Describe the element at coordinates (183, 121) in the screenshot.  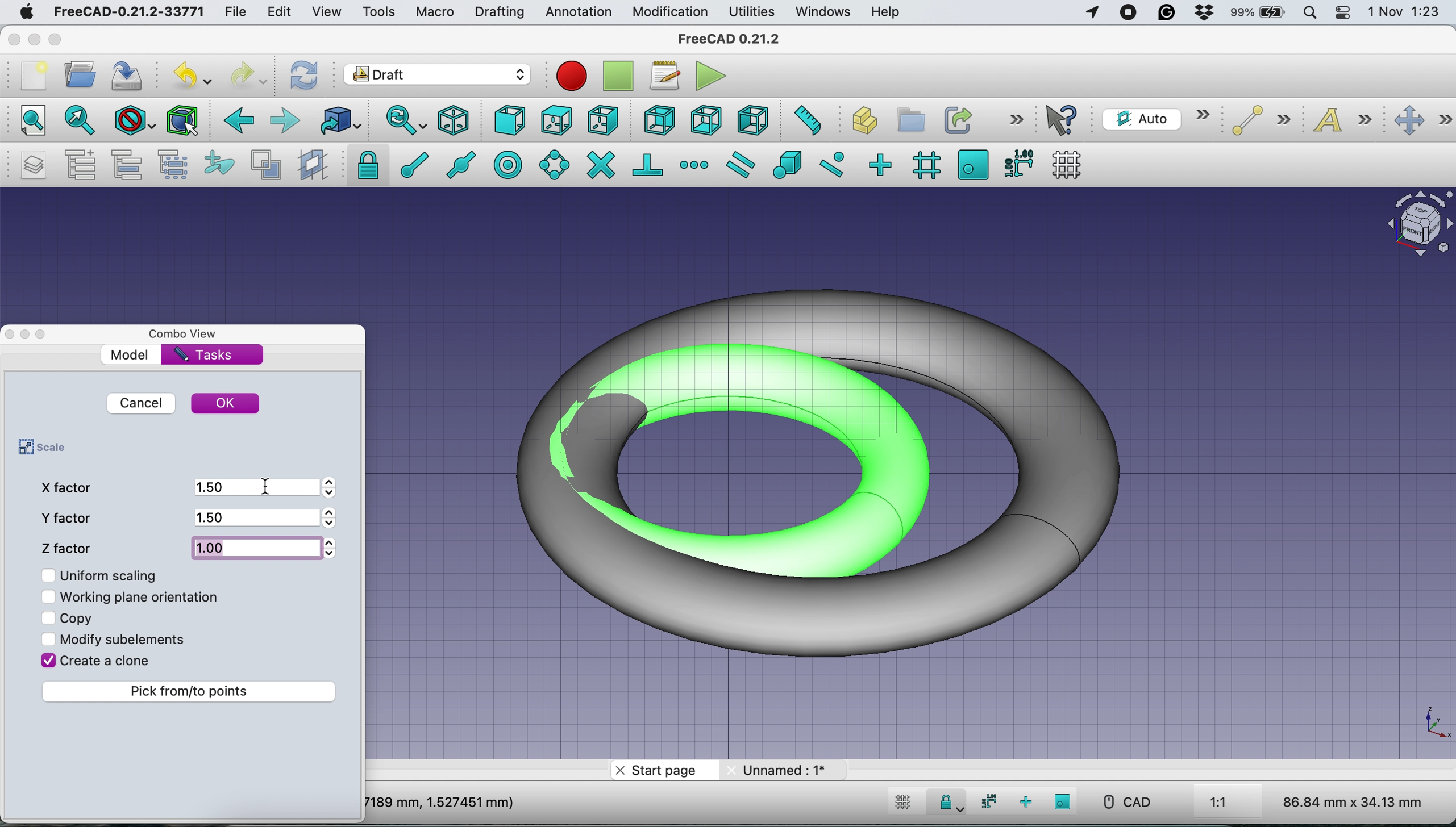
I see `bounding box` at that location.